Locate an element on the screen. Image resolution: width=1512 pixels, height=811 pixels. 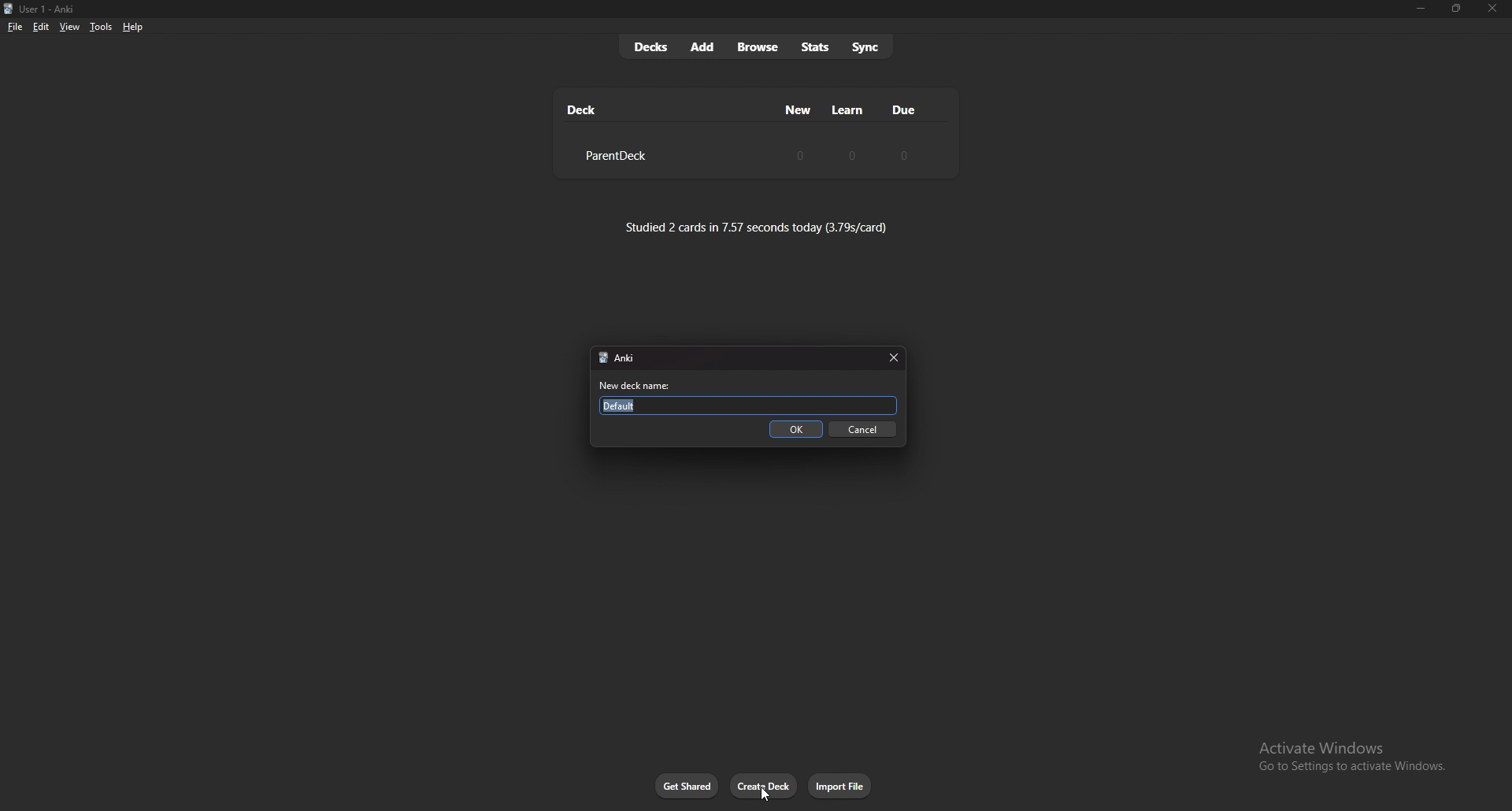
browse is located at coordinates (760, 48).